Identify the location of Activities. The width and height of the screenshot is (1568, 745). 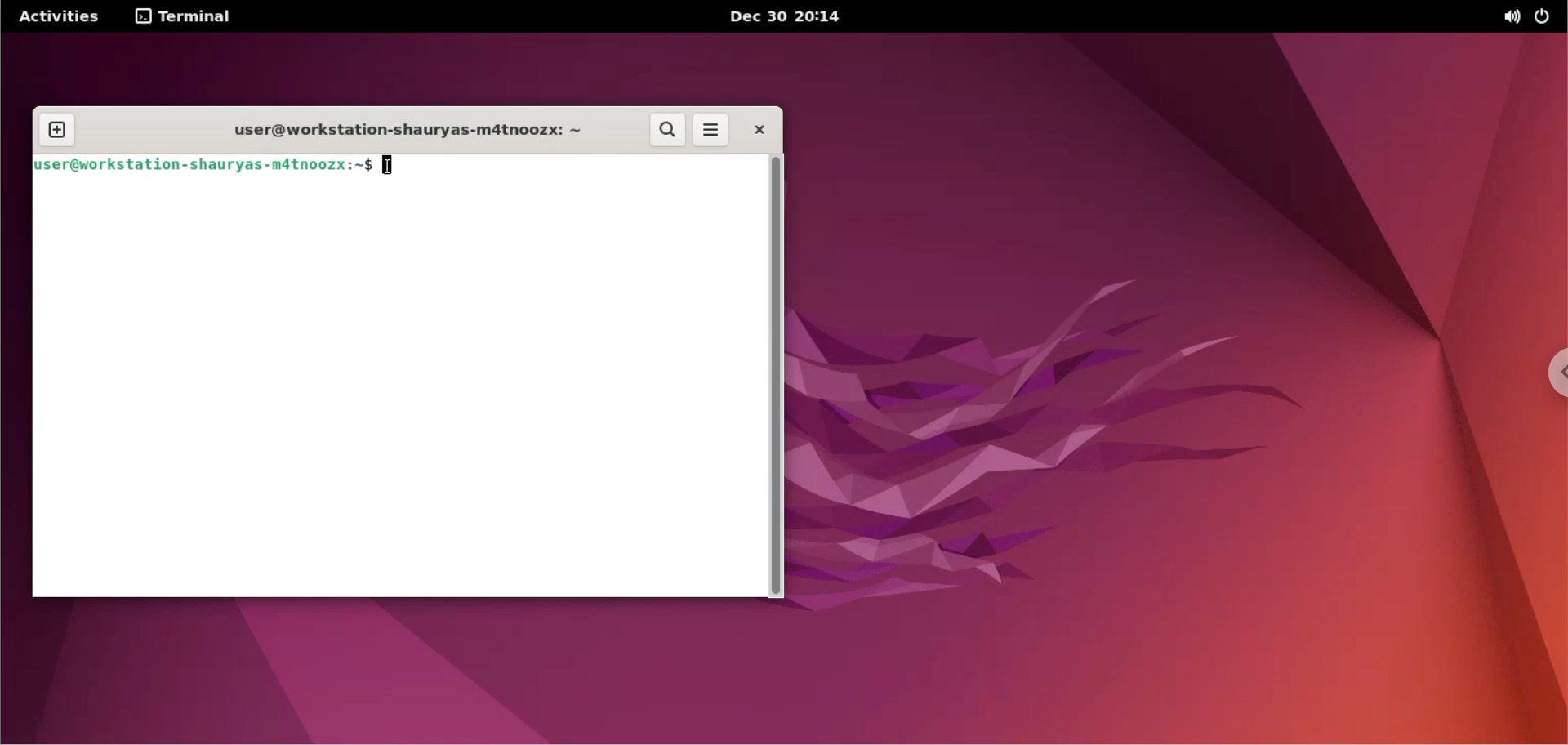
(60, 17).